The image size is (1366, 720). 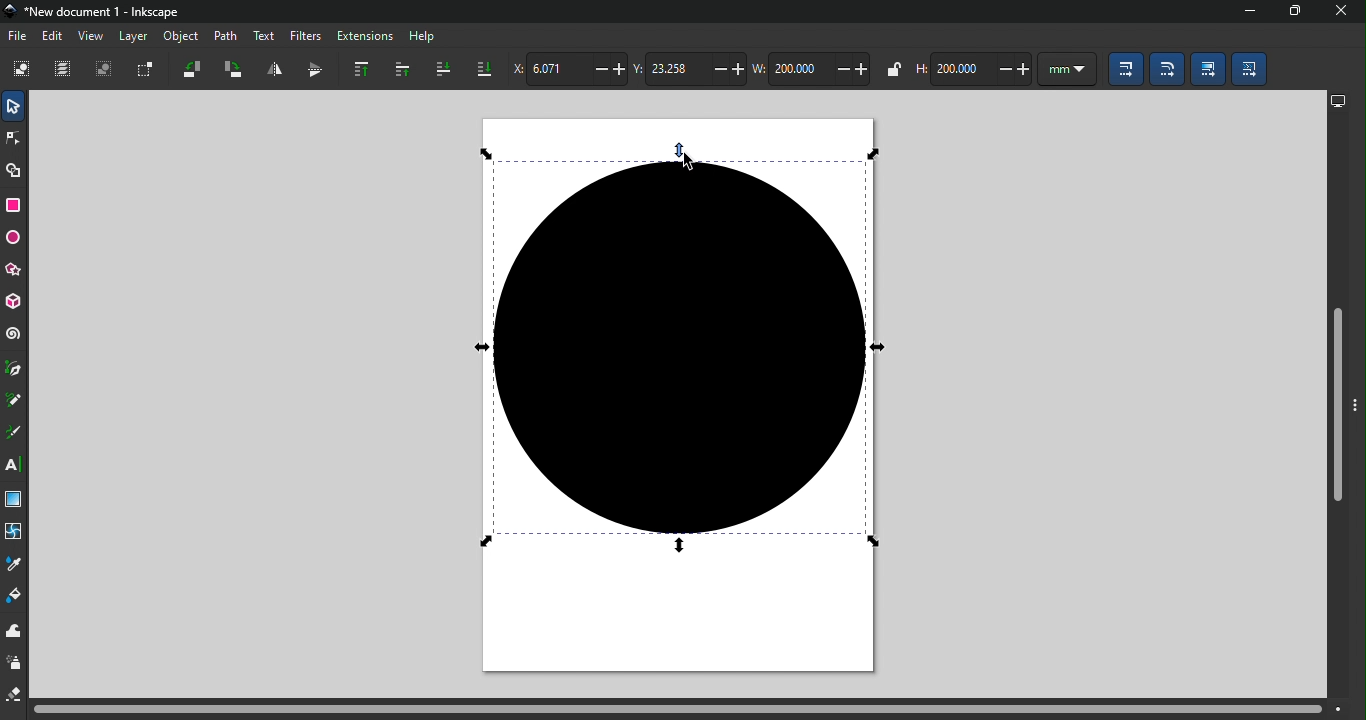 I want to click on Filters, so click(x=305, y=36).